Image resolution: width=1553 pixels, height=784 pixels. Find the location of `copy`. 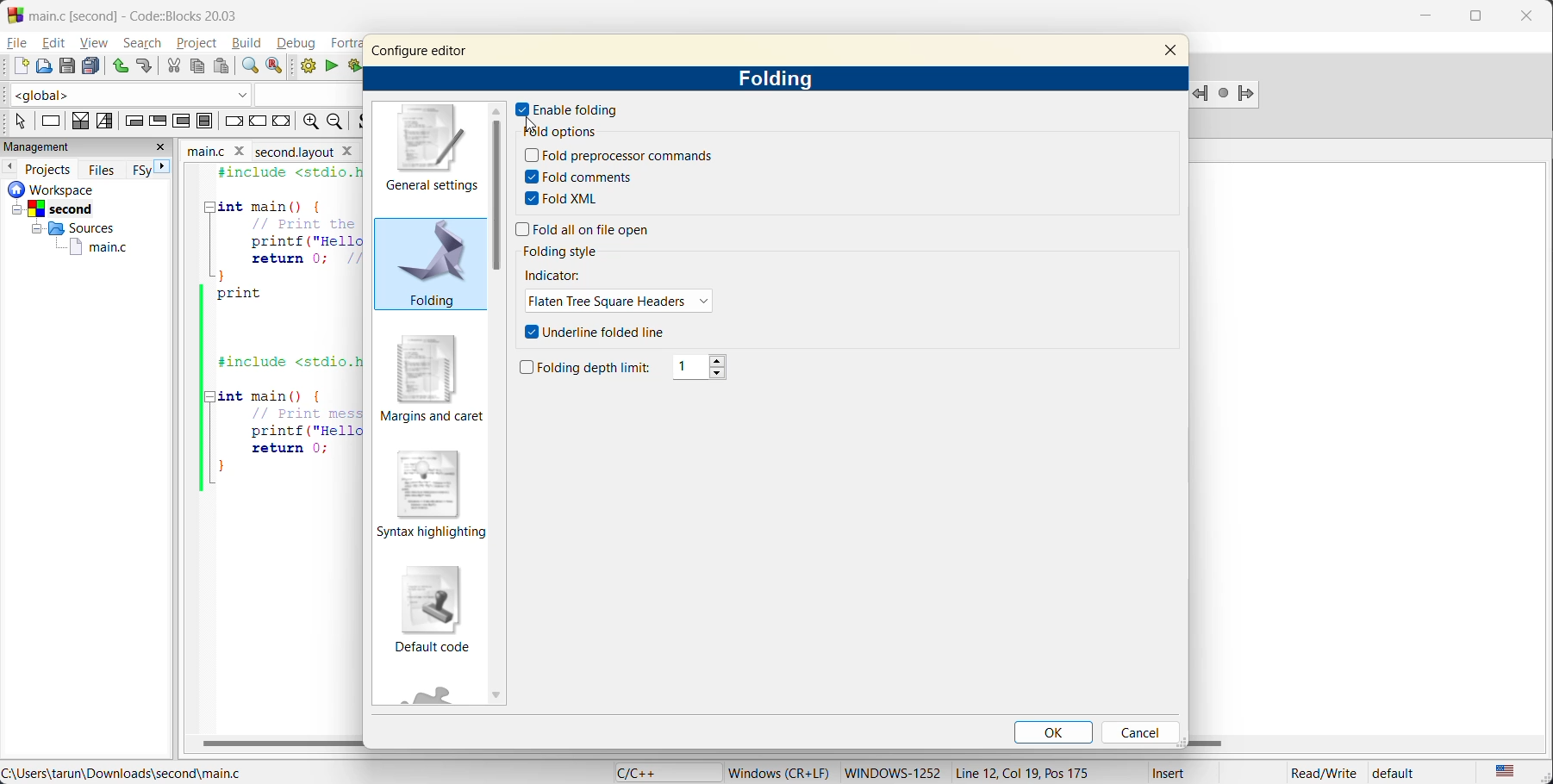

copy is located at coordinates (196, 64).